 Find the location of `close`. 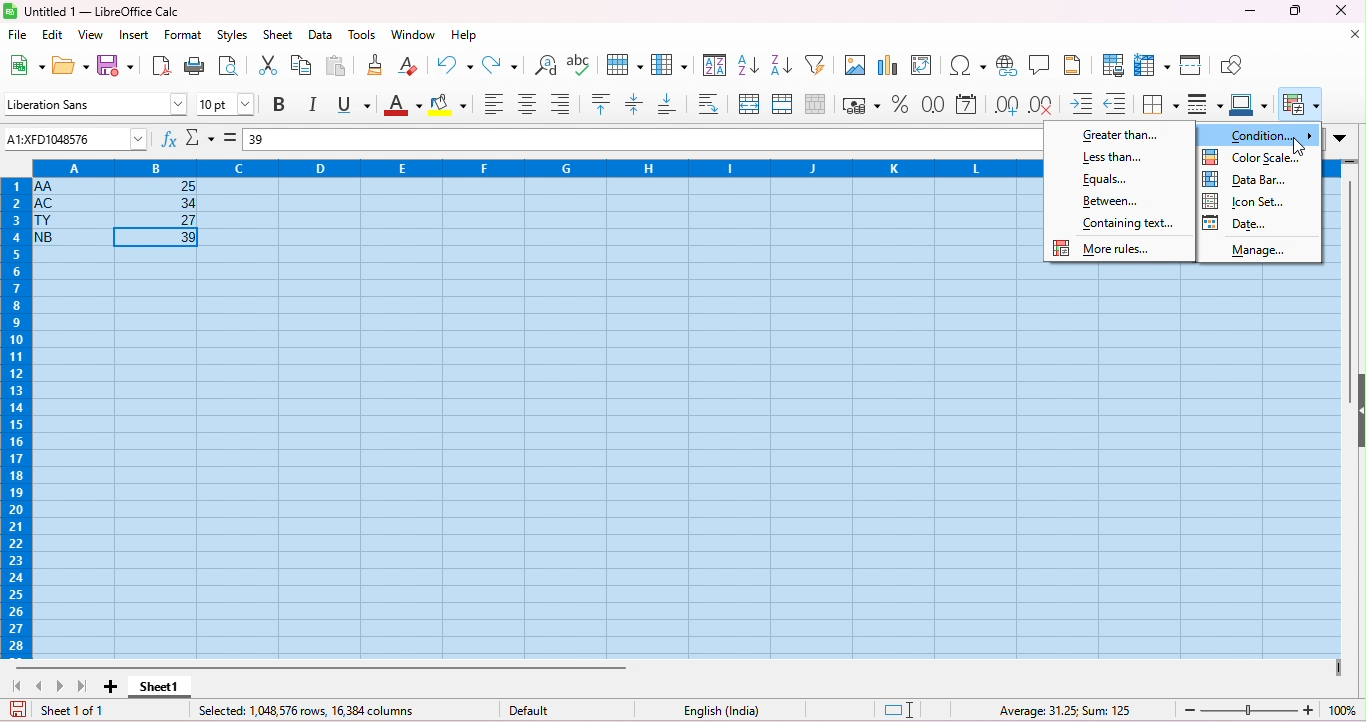

close is located at coordinates (1341, 10).